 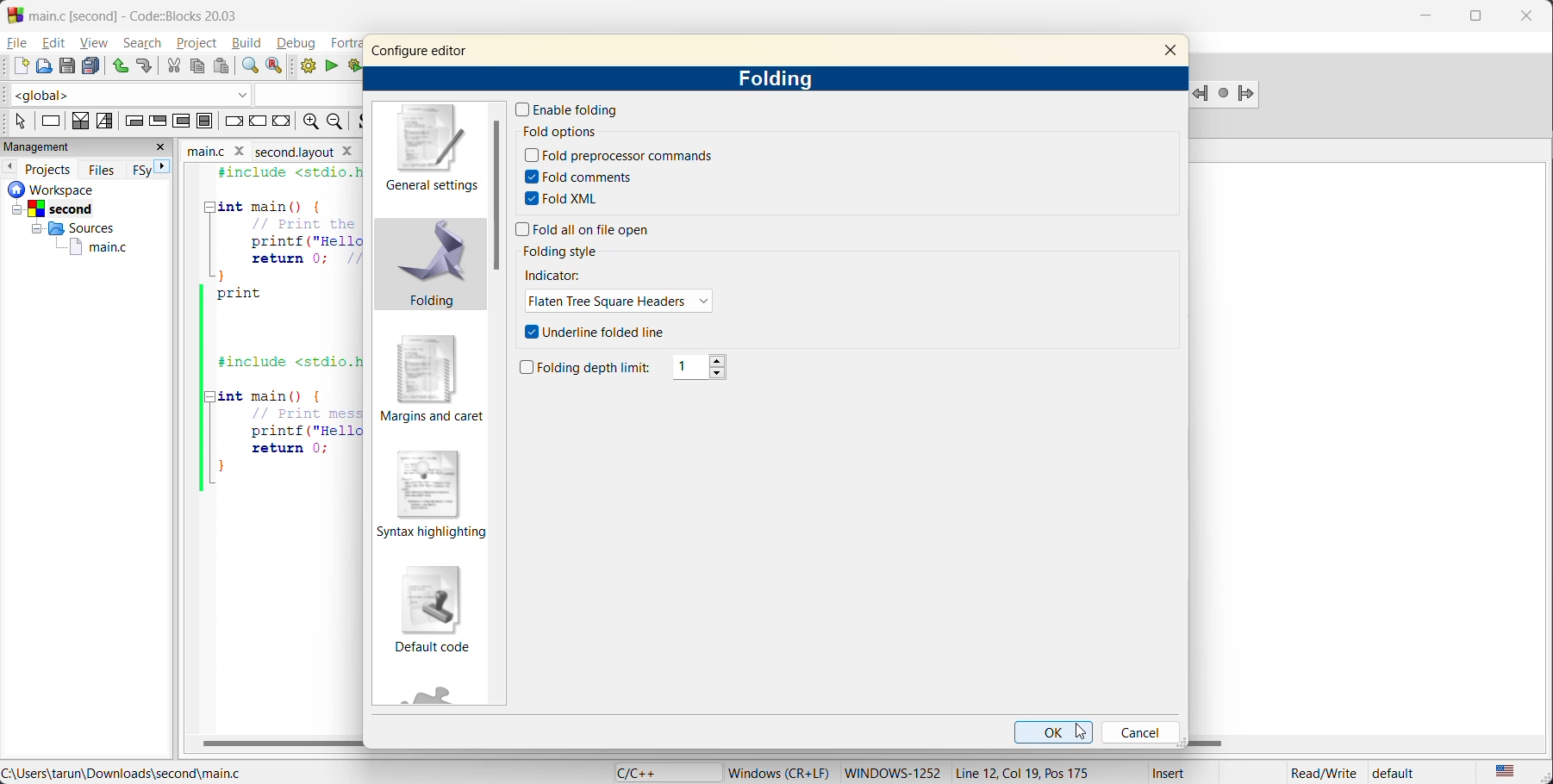 I want to click on vertical scroll bar, so click(x=499, y=195).